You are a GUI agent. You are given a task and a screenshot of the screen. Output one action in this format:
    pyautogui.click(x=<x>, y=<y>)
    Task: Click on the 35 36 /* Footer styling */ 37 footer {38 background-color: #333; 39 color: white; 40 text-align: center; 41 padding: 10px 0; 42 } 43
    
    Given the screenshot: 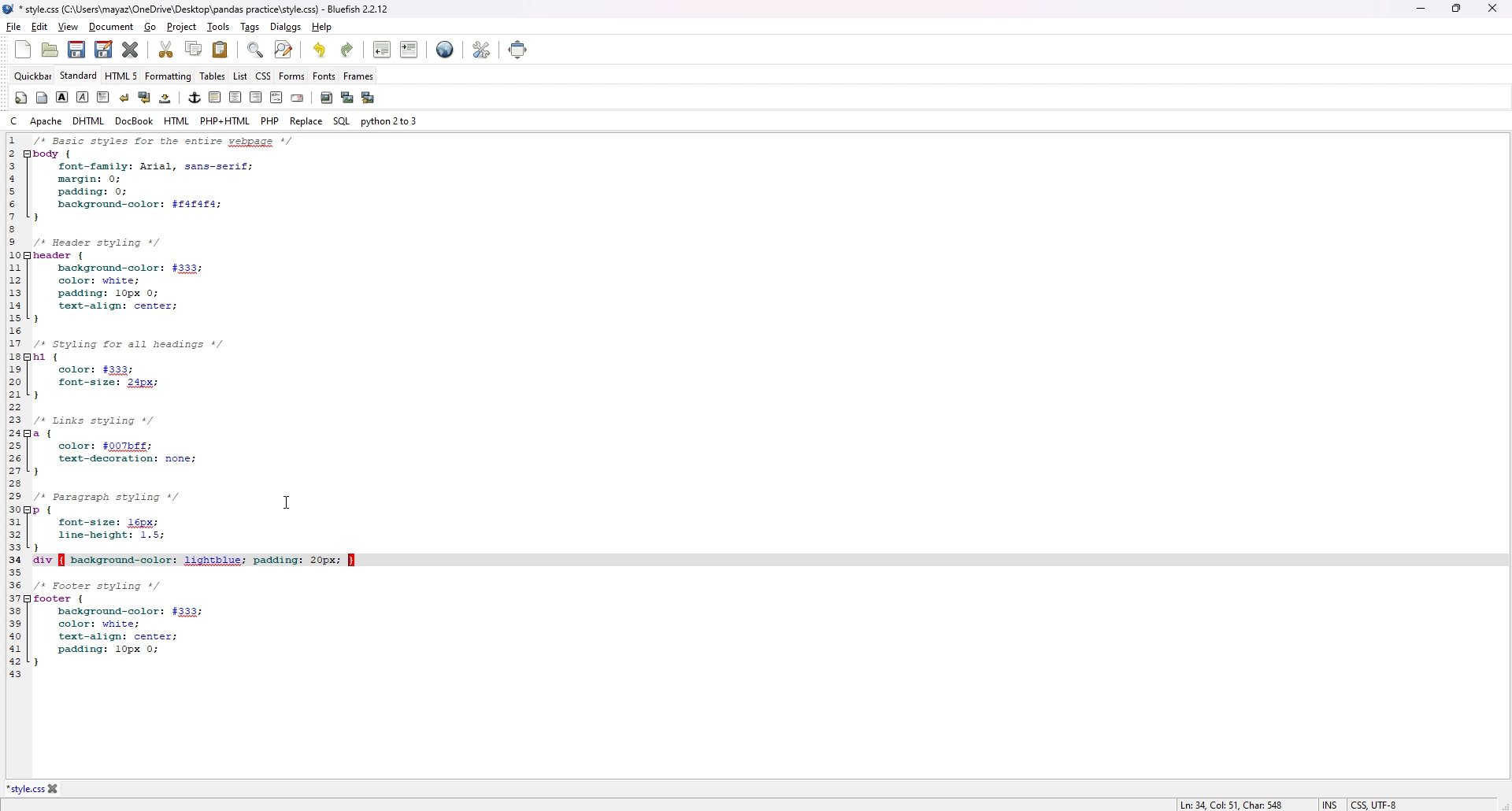 What is the action you would take?
    pyautogui.click(x=113, y=623)
    